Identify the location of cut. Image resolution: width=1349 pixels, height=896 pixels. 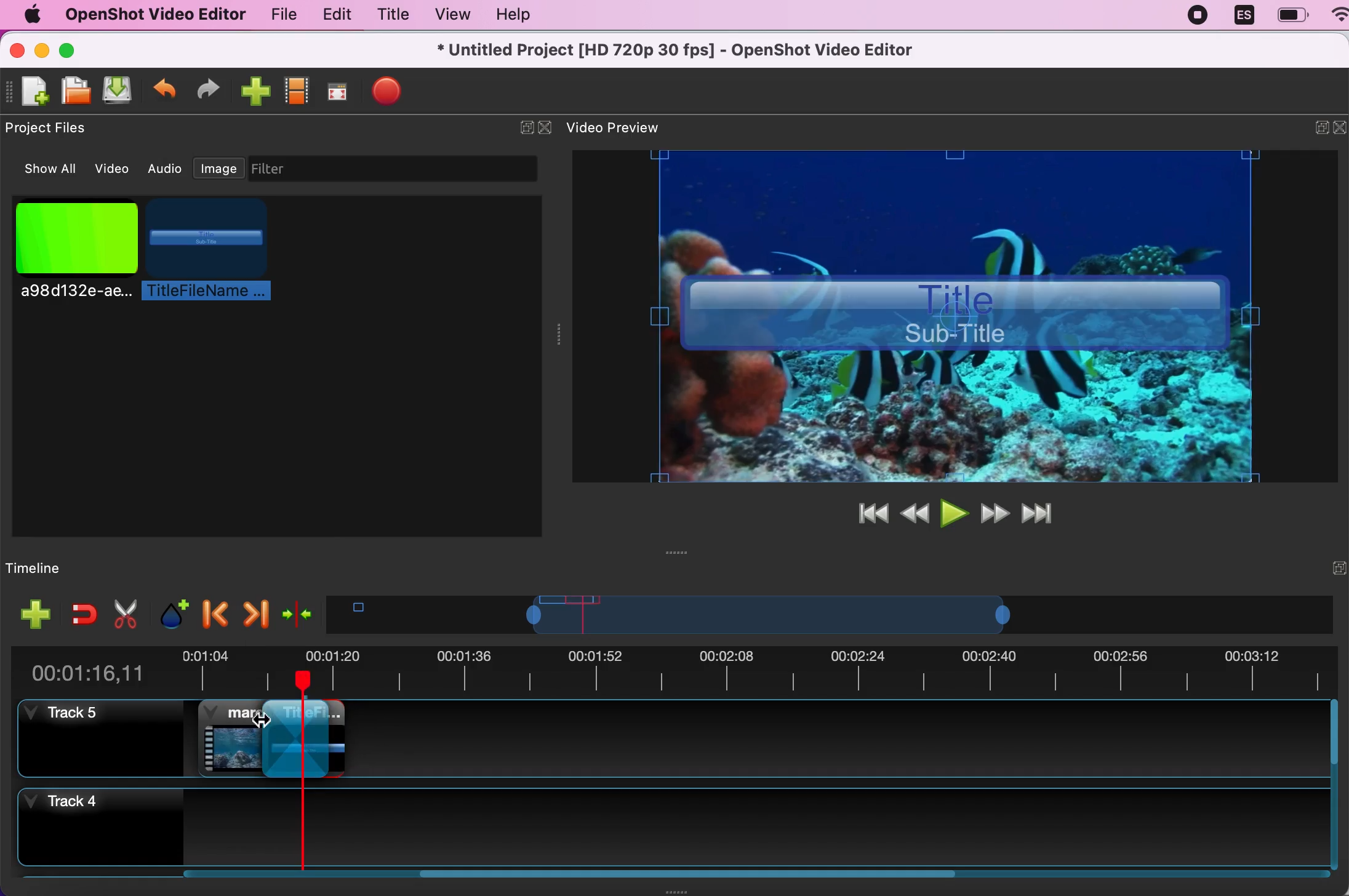
(124, 614).